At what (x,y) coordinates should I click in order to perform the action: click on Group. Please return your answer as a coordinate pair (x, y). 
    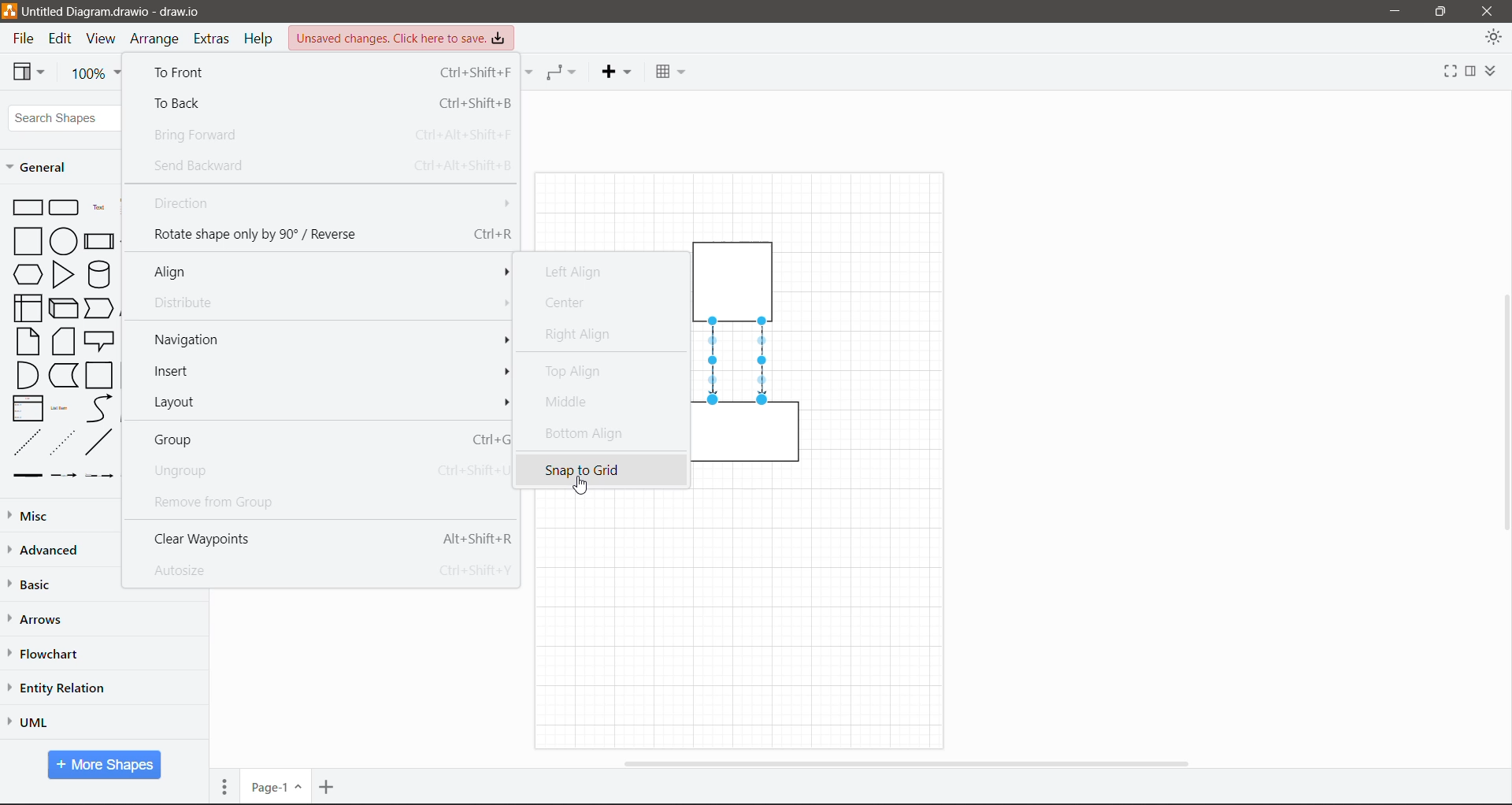
    Looking at the image, I should click on (328, 440).